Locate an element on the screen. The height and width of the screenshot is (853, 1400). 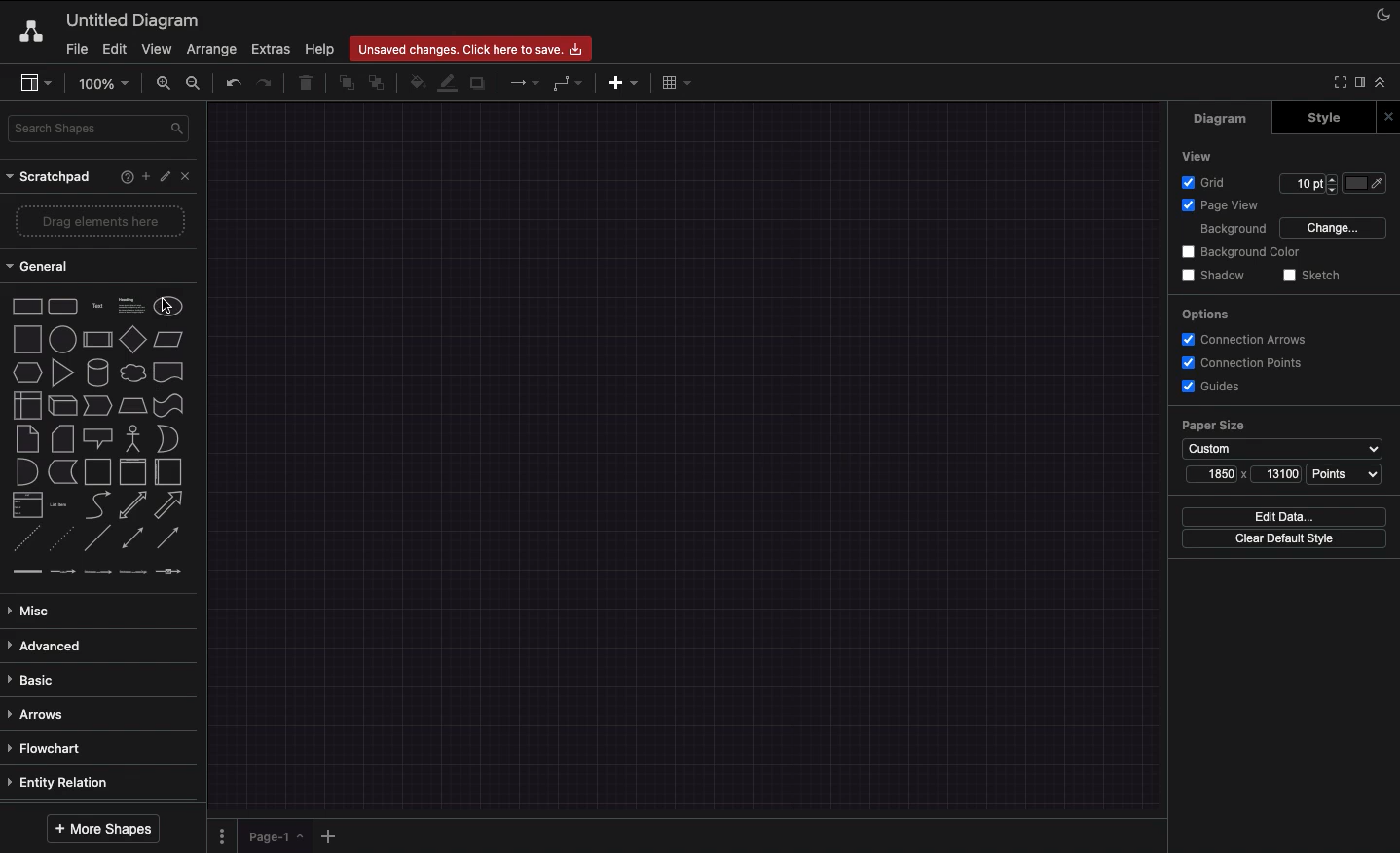
connector 5 is located at coordinates (170, 571).